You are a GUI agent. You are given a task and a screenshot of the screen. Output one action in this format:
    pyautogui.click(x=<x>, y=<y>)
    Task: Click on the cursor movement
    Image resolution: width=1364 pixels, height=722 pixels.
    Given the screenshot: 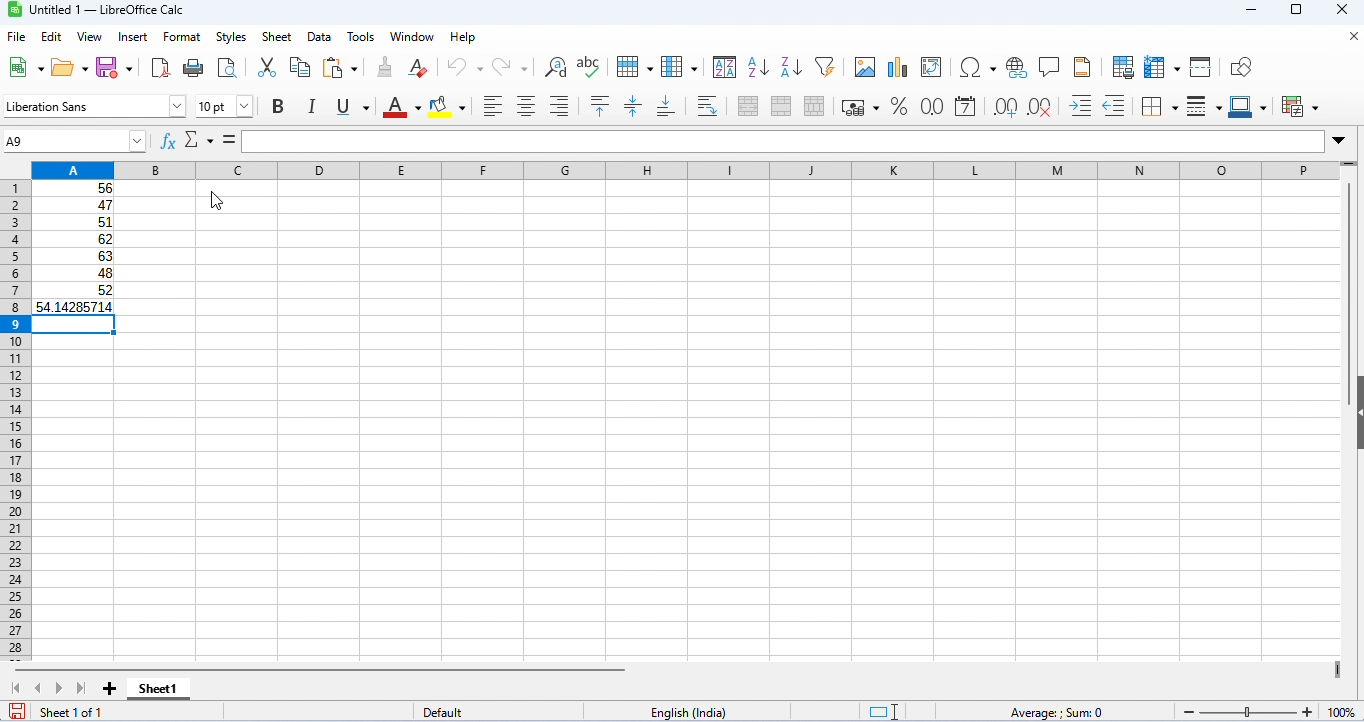 What is the action you would take?
    pyautogui.click(x=218, y=198)
    